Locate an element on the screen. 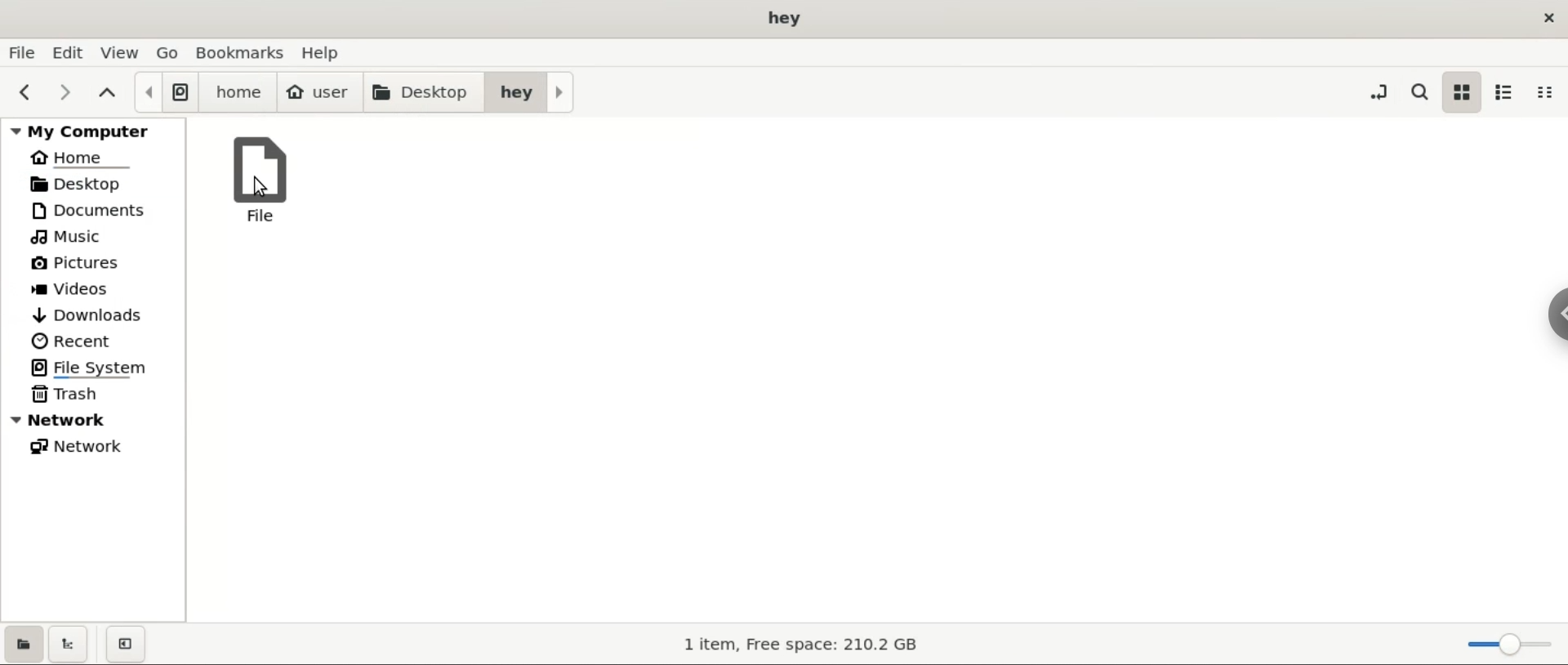 This screenshot has width=1568, height=665. user is located at coordinates (322, 91).